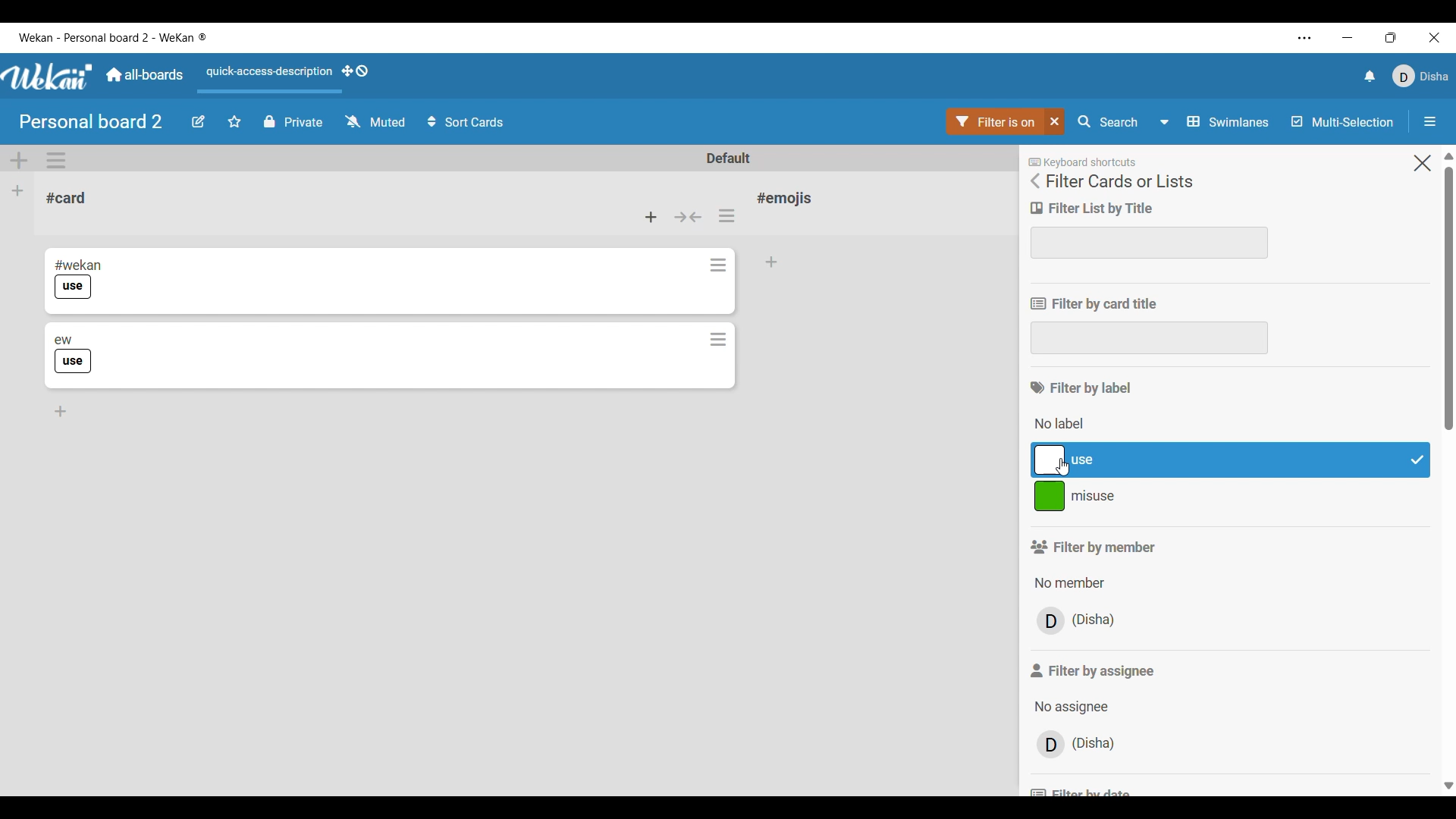 The width and height of the screenshot is (1456, 819). Describe the element at coordinates (1423, 163) in the screenshot. I see `Close setting` at that location.